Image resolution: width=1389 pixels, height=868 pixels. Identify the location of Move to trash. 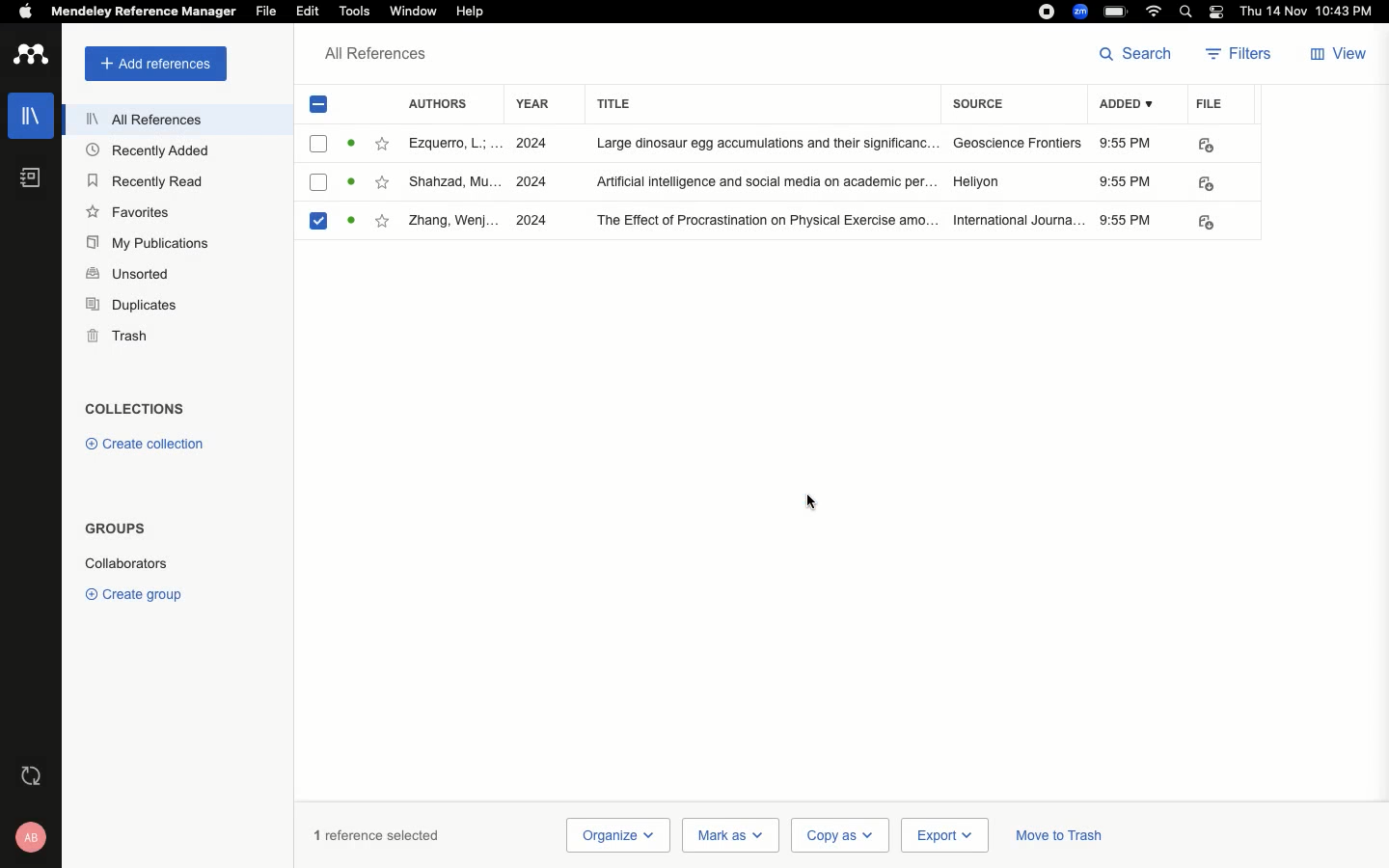
(1059, 838).